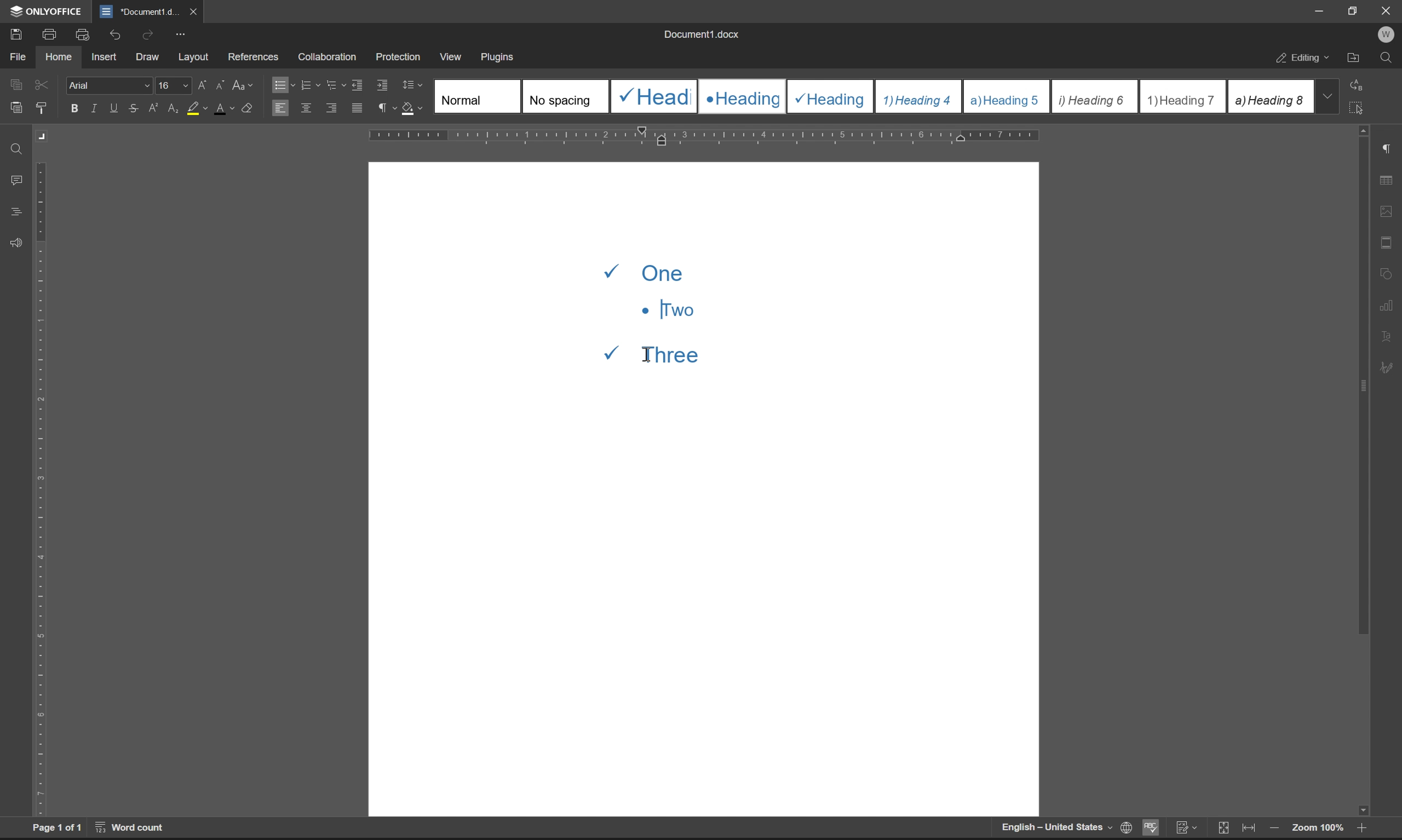 Image resolution: width=1402 pixels, height=840 pixels. I want to click on numbering, so click(310, 85).